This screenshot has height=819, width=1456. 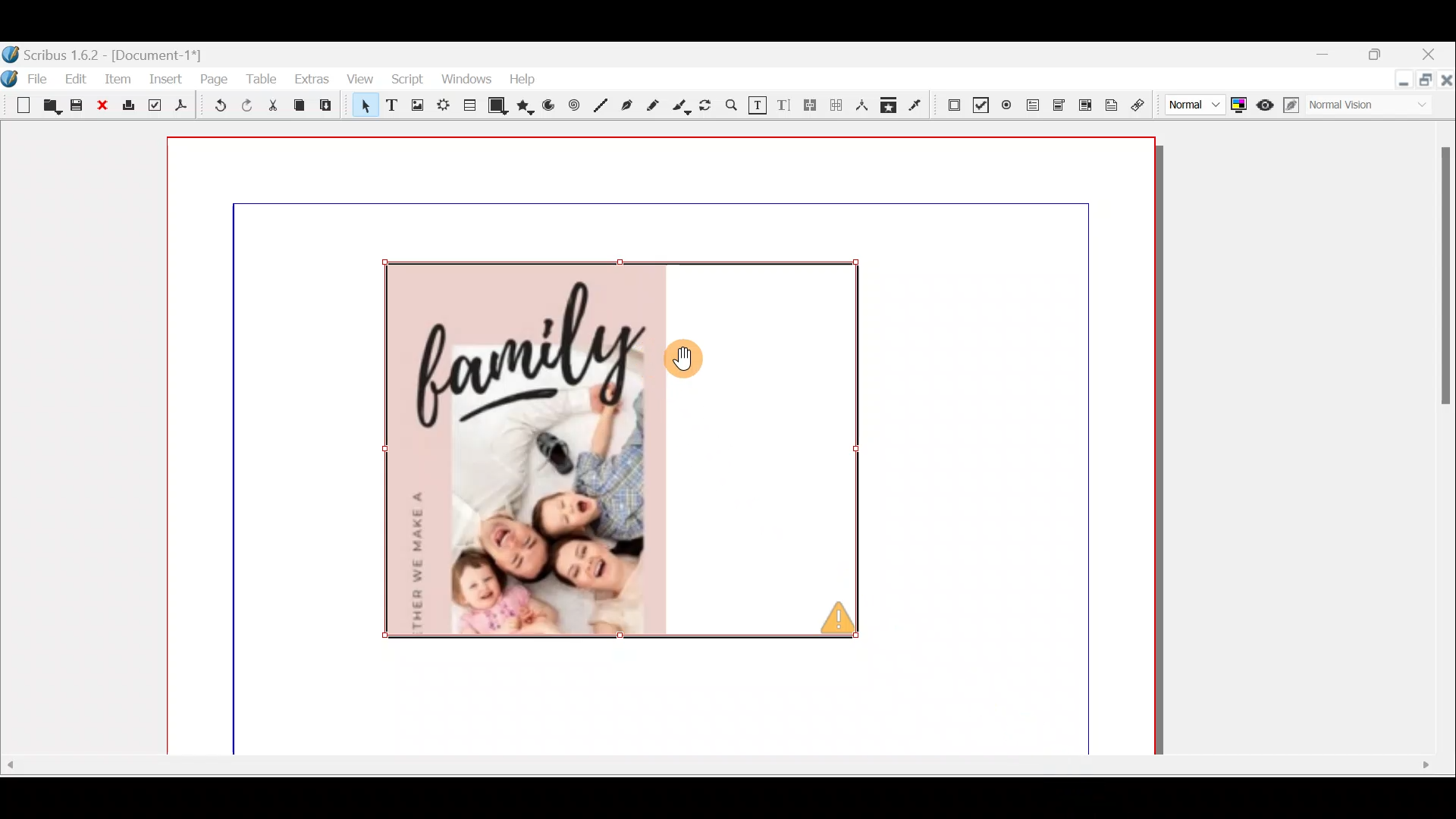 I want to click on Copy, so click(x=300, y=105).